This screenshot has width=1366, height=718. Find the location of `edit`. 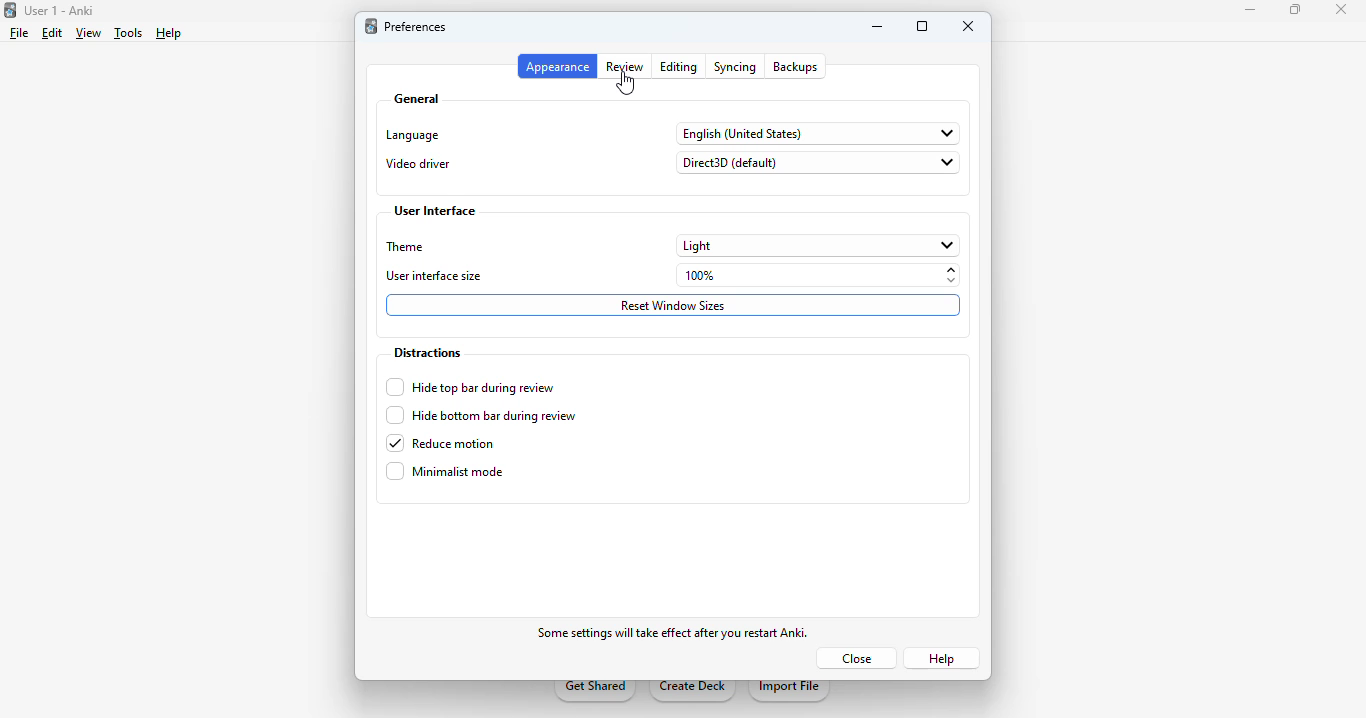

edit is located at coordinates (54, 33).